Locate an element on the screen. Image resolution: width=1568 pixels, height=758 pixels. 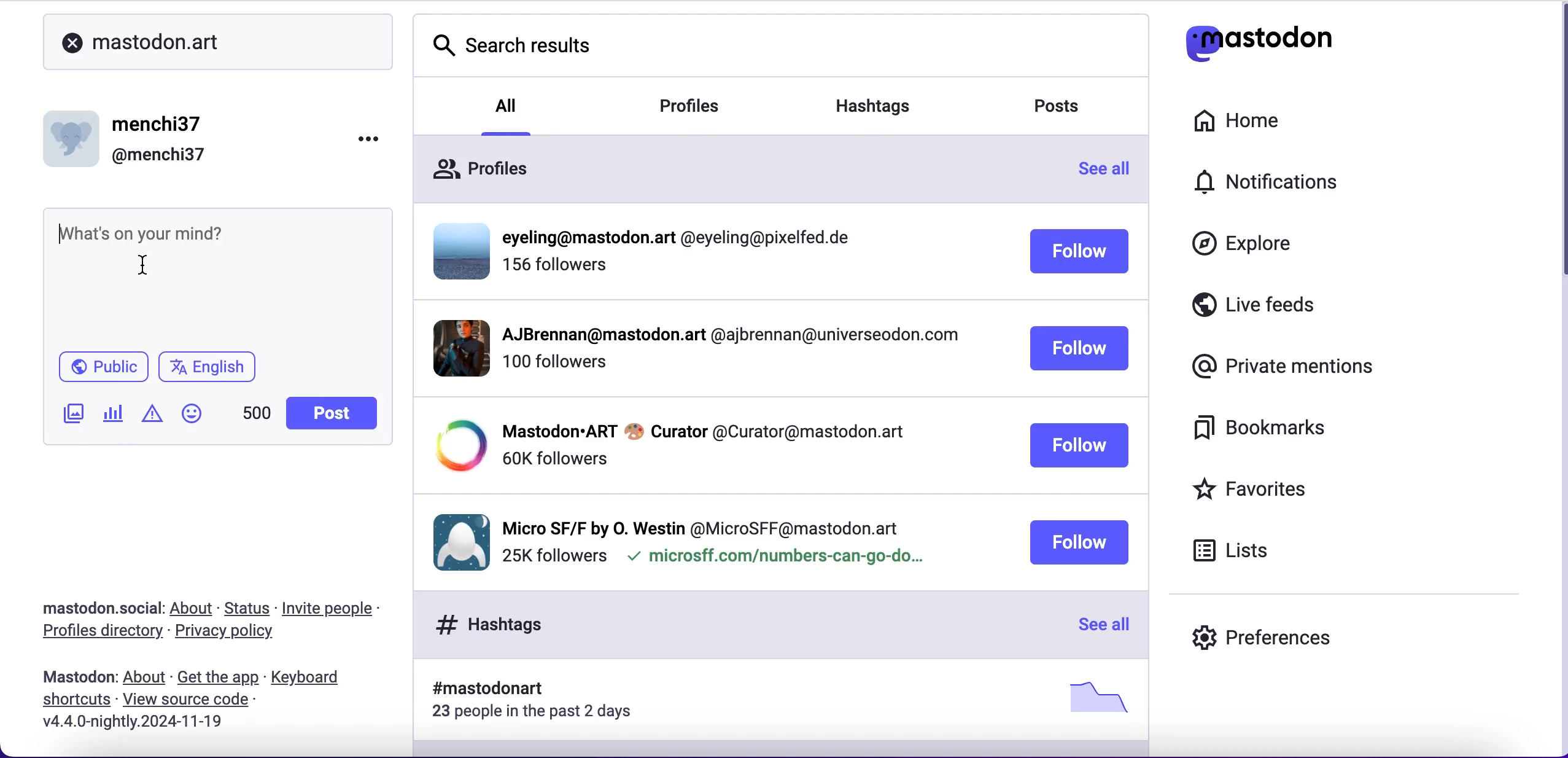
mastodon.art is located at coordinates (152, 43).